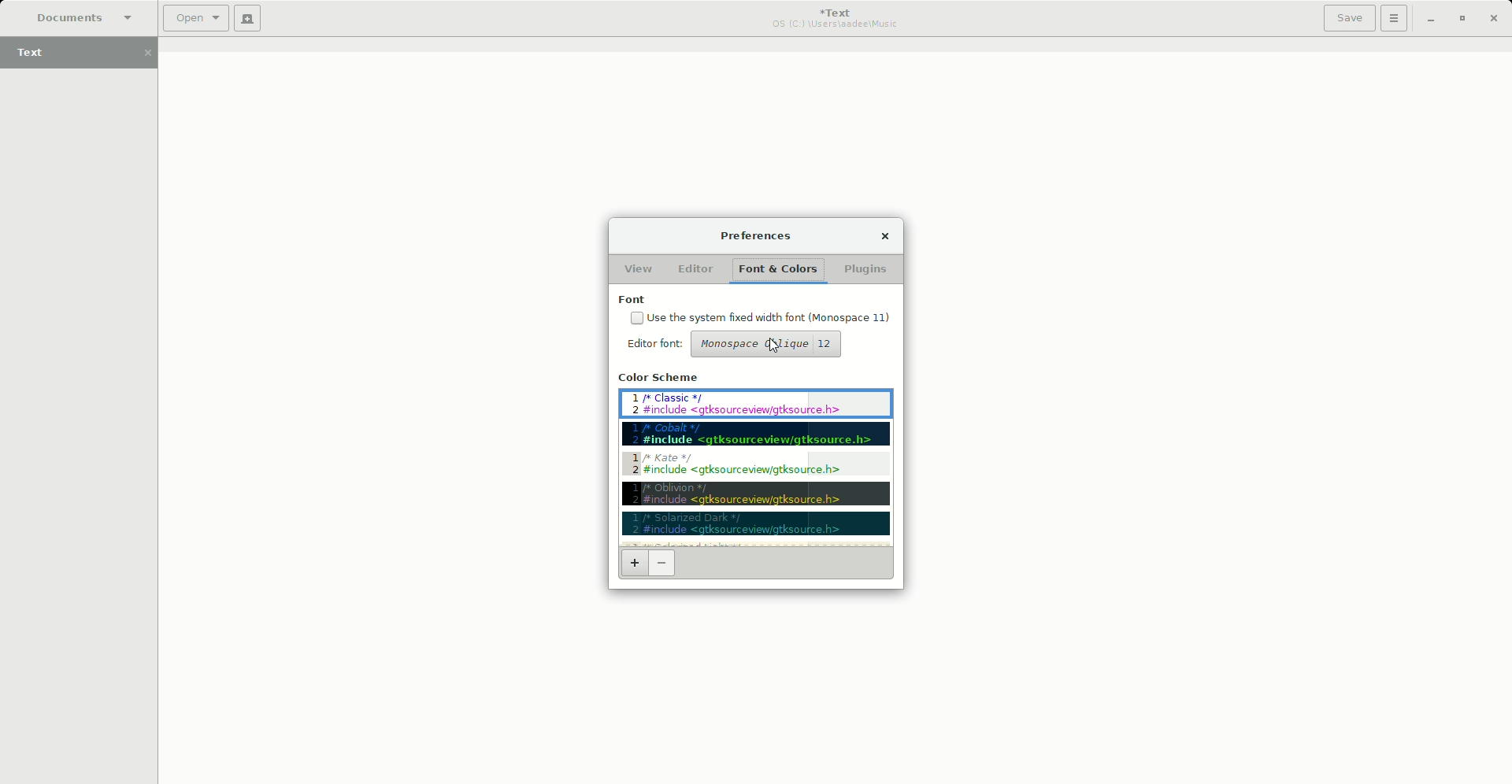  Describe the element at coordinates (248, 18) in the screenshot. I see `New` at that location.